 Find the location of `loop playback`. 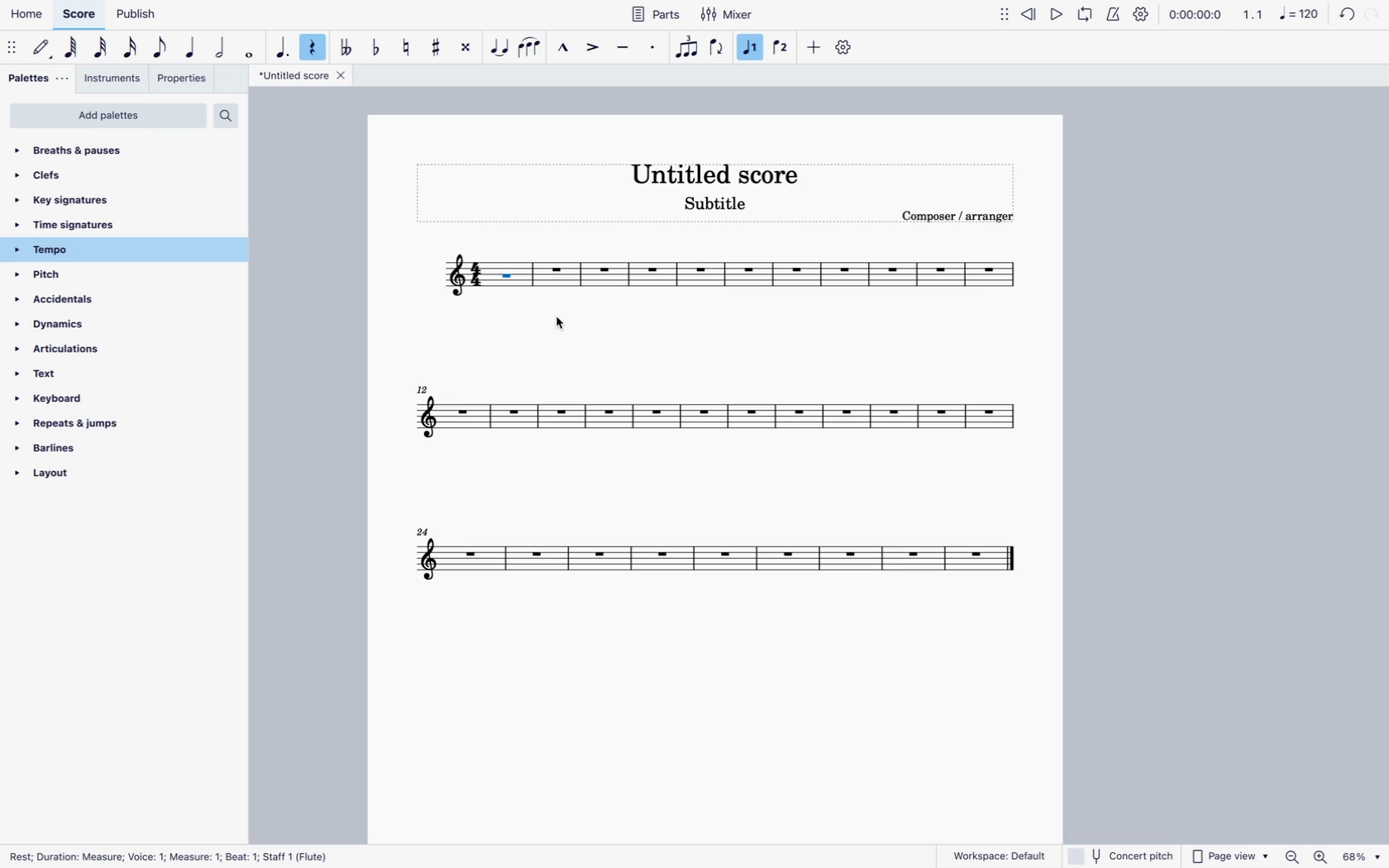

loop playback is located at coordinates (1085, 14).